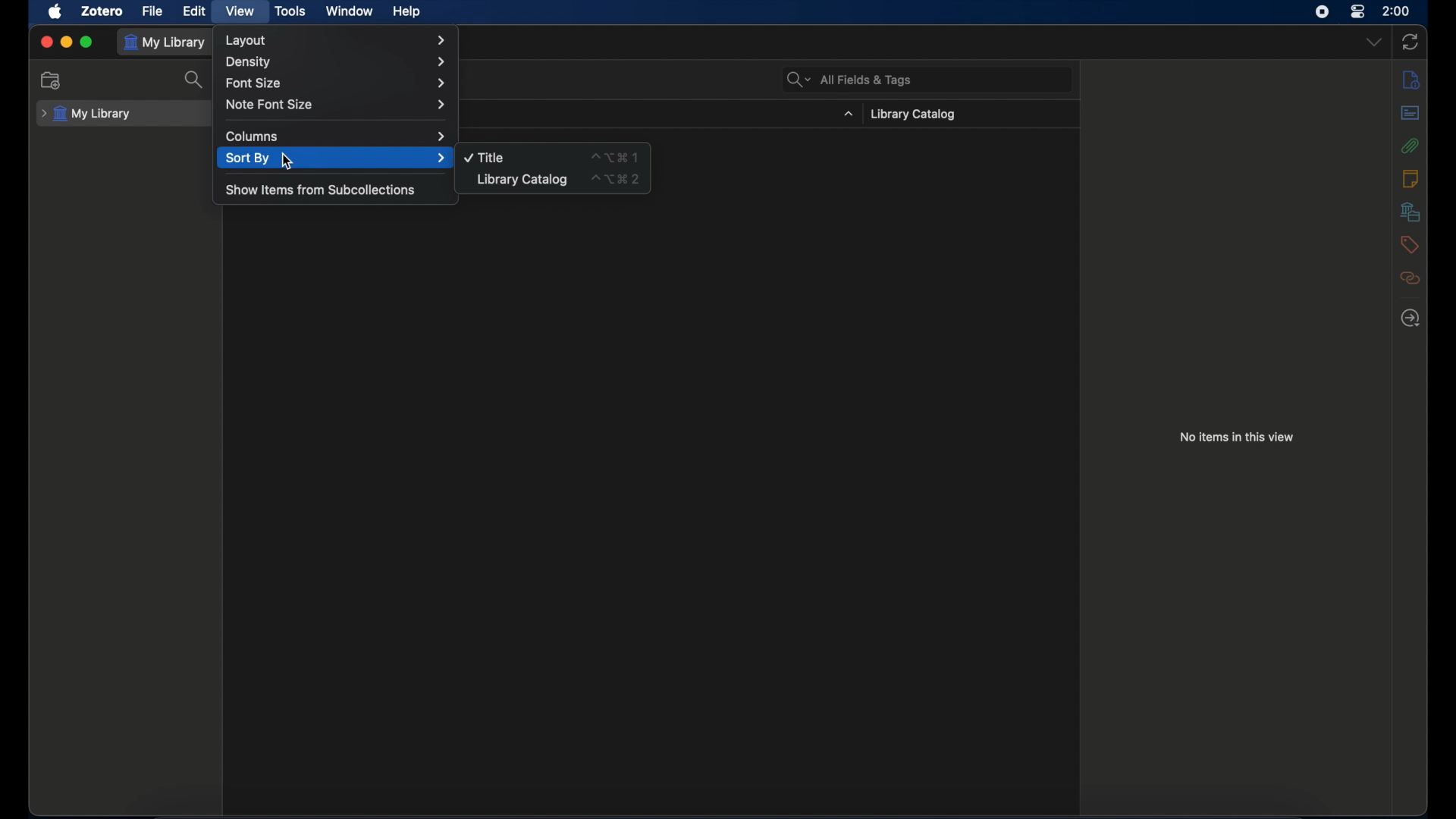  What do you see at coordinates (485, 158) in the screenshot?
I see `title` at bounding box center [485, 158].